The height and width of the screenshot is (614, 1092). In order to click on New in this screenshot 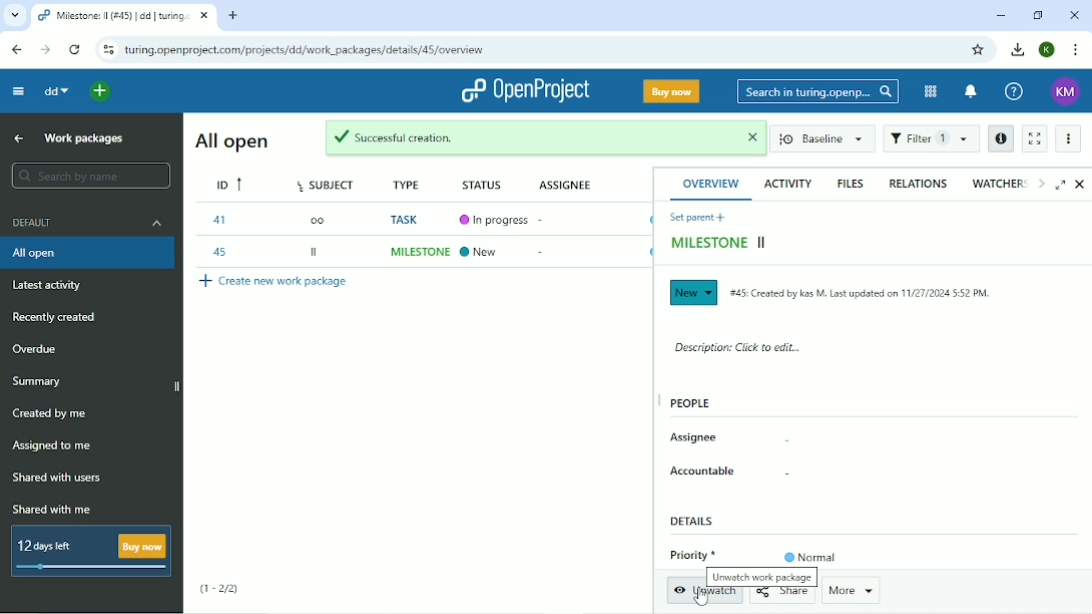, I will do `click(481, 252)`.